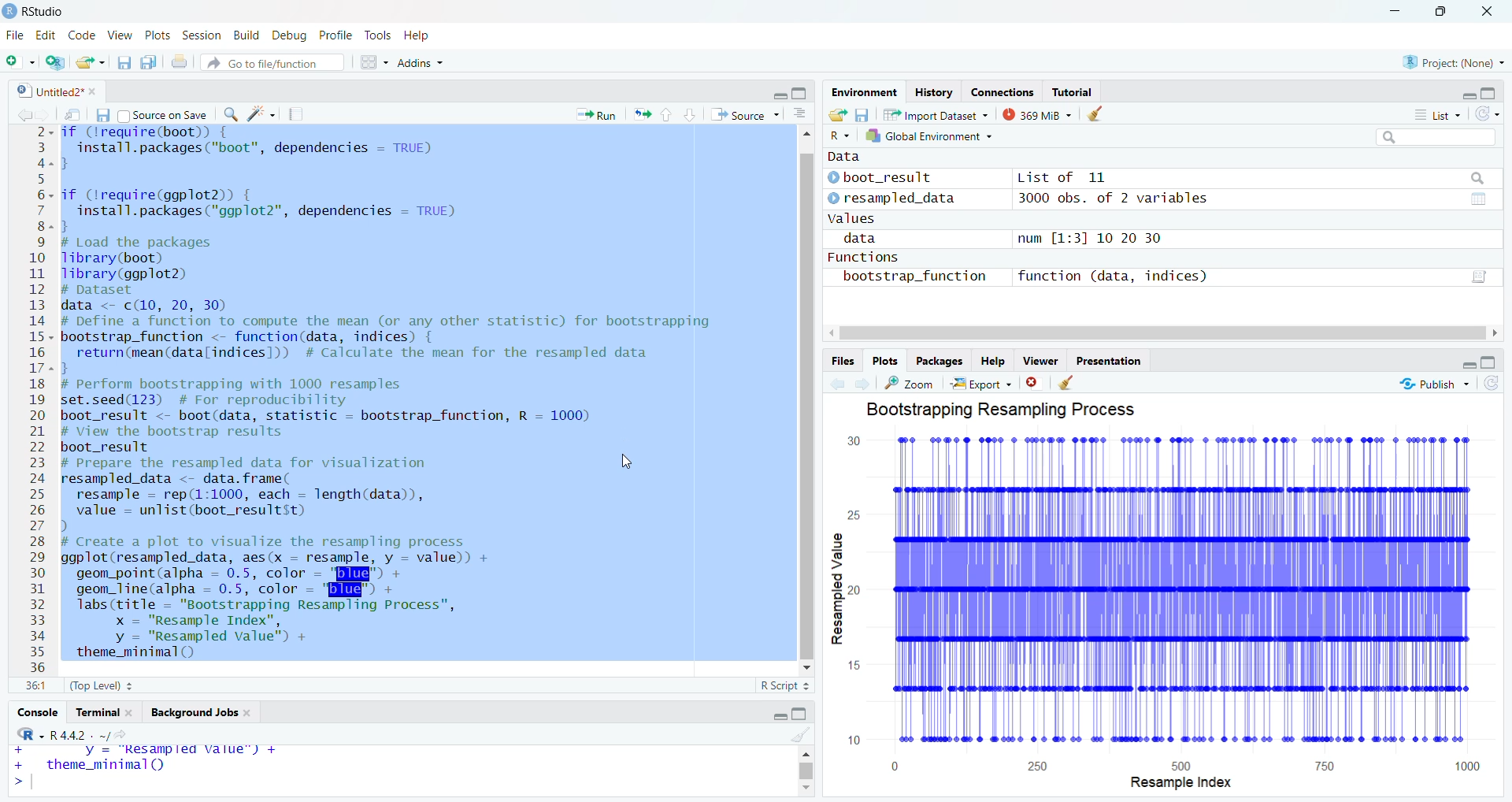 The width and height of the screenshot is (1512, 802). Describe the element at coordinates (1490, 362) in the screenshot. I see `hide console` at that location.